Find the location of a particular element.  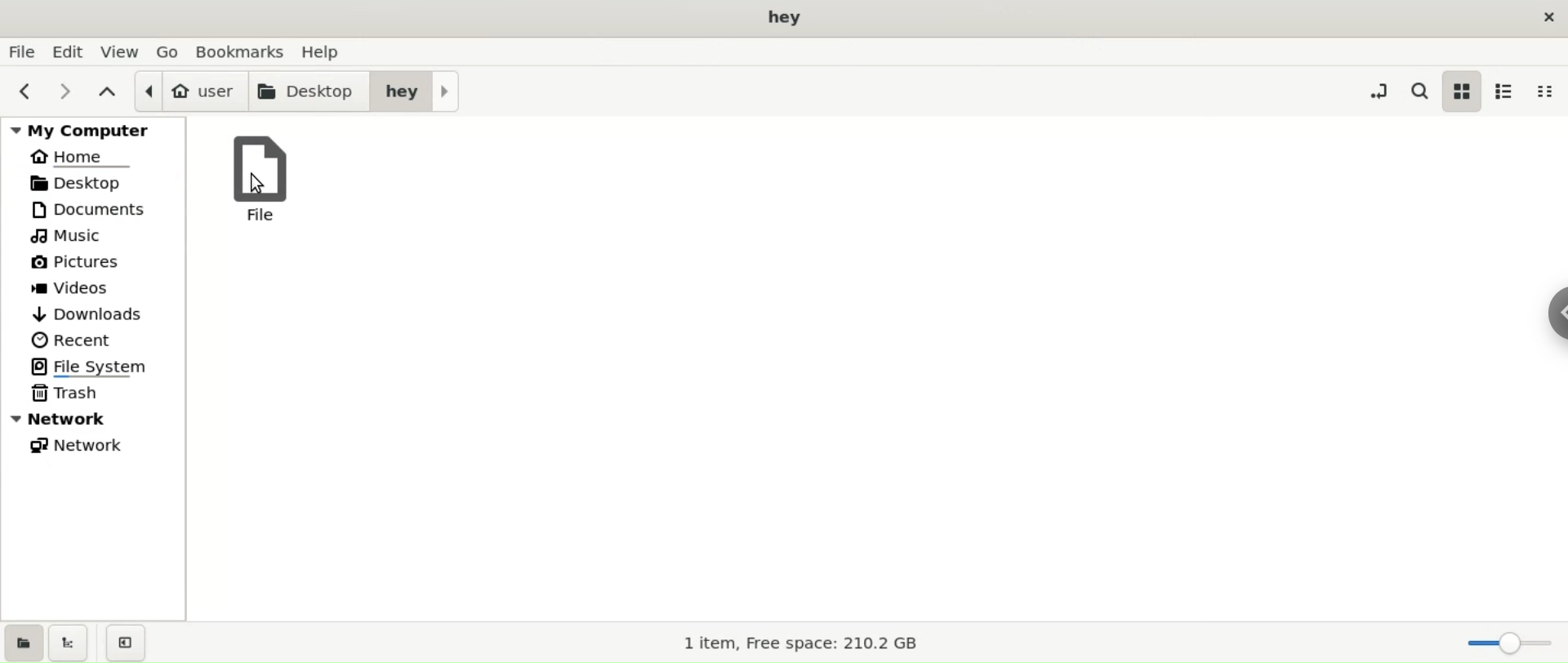

show treeview is located at coordinates (73, 642).